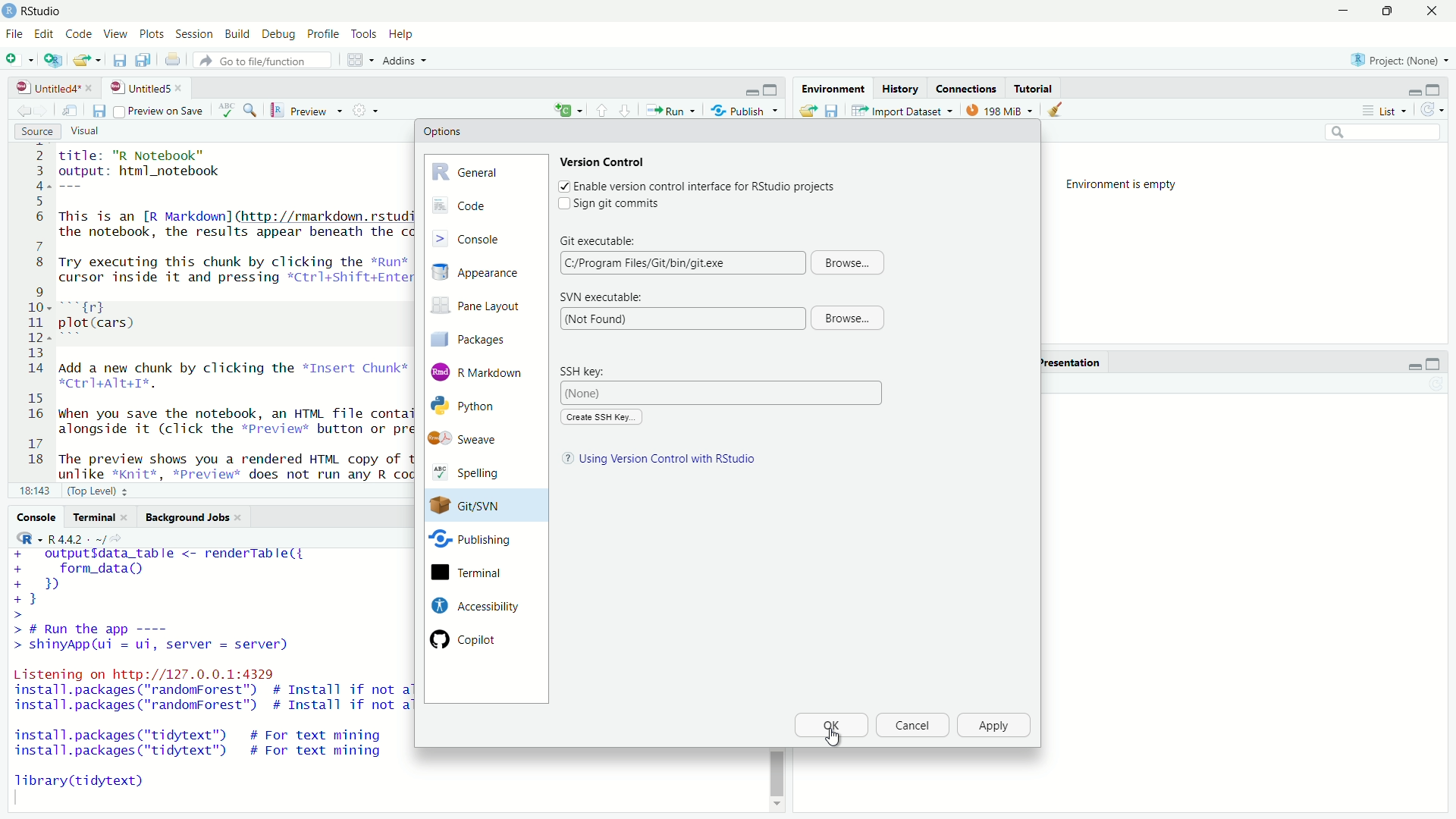  Describe the element at coordinates (472, 542) in the screenshot. I see `Publishing` at that location.